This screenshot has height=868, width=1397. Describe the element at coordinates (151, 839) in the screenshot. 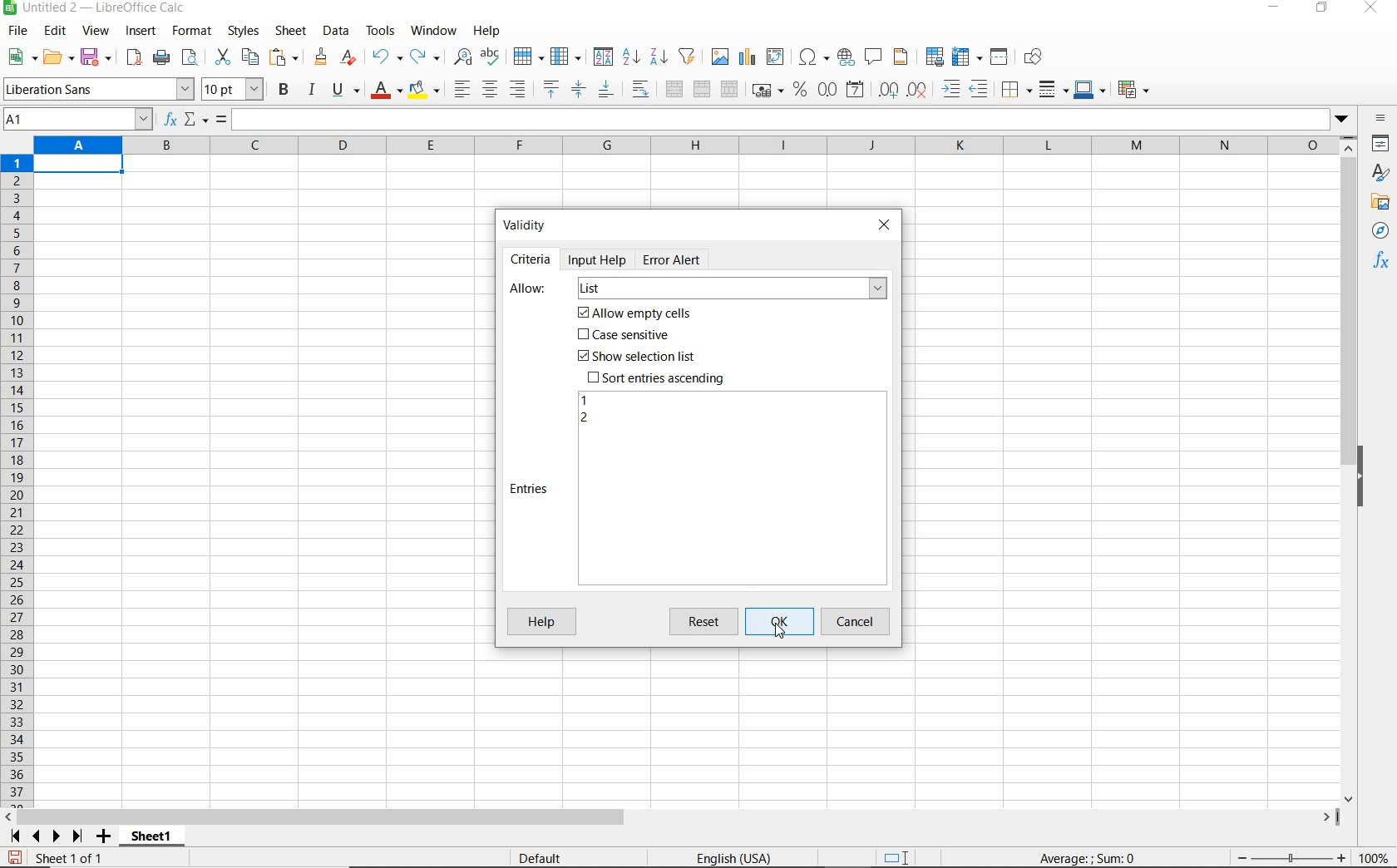

I see `sheet1` at that location.